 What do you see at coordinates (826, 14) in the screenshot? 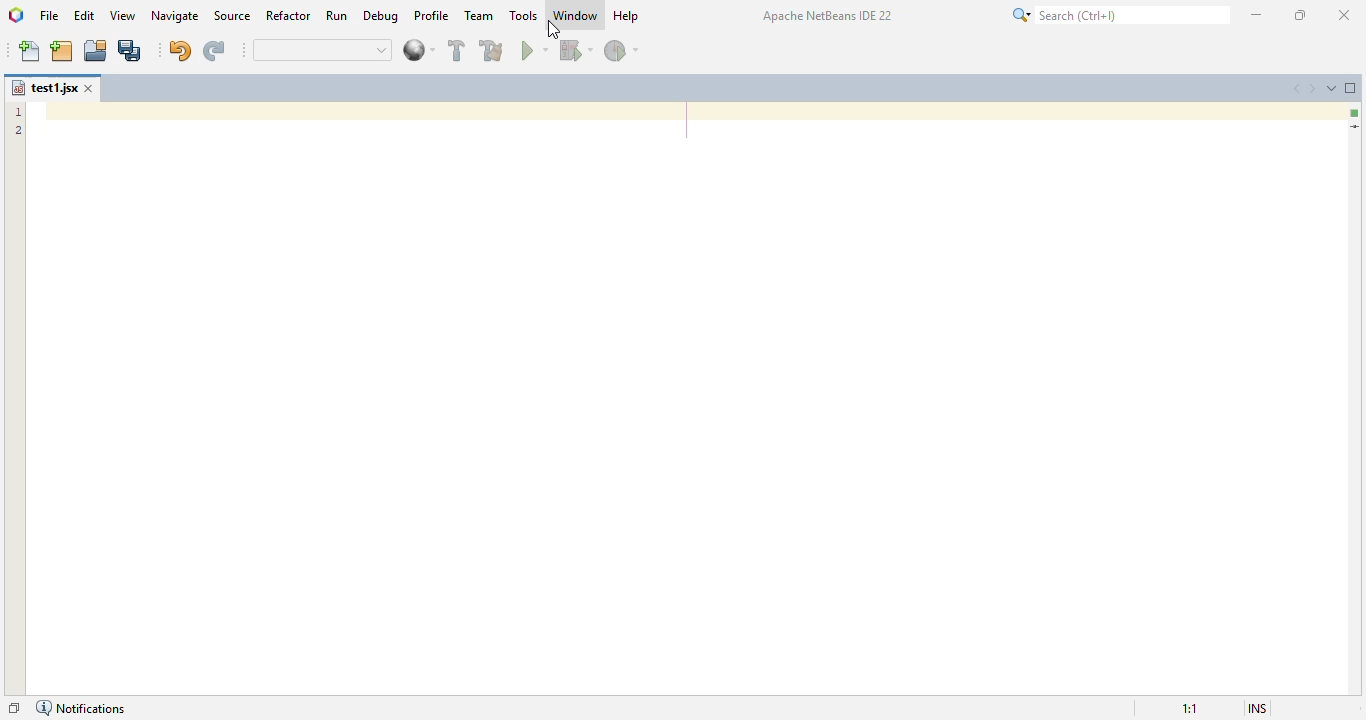
I see `Apache NetBeans IDE 22` at bounding box center [826, 14].